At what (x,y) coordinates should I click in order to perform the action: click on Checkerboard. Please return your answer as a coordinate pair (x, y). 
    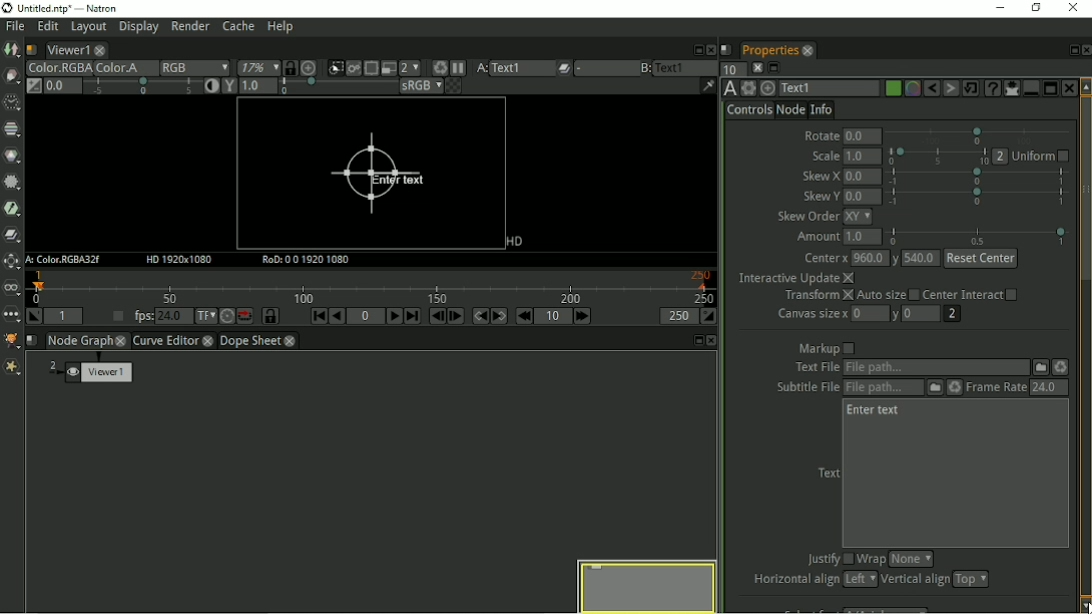
    Looking at the image, I should click on (455, 87).